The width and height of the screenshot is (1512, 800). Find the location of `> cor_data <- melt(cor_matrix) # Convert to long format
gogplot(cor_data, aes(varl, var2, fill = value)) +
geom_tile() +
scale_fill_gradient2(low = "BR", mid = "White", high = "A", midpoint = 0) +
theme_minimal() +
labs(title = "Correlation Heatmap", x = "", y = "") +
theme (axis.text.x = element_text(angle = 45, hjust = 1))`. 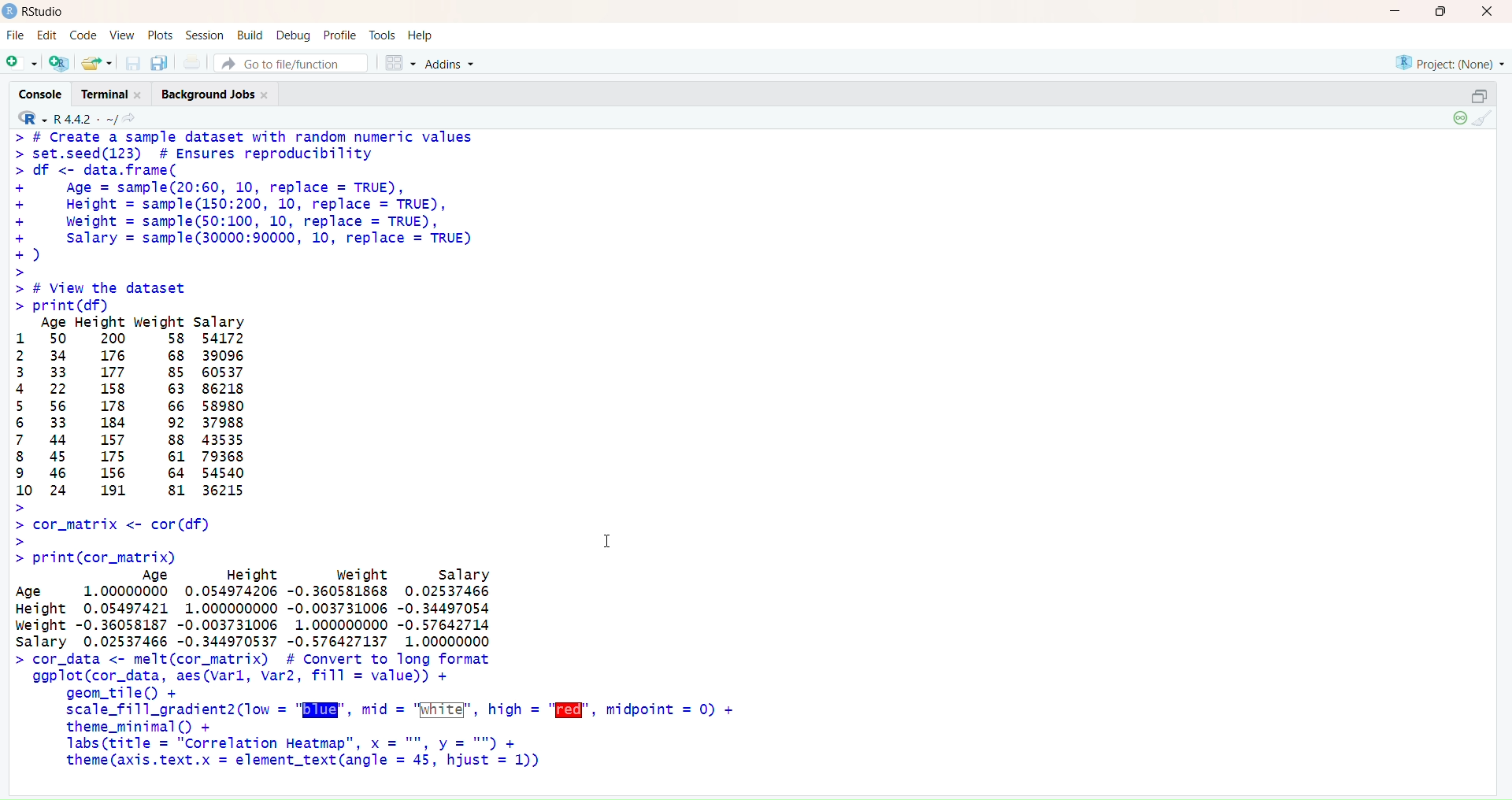

> cor_data <- melt(cor_matrix) # Convert to long format
gogplot(cor_data, aes(varl, var2, fill = value)) +
geom_tile() +
scale_fill_gradient2(low = "BR", mid = "White", high = "A", midpoint = 0) +
theme_minimal() +
labs(title = "Correlation Heatmap", x = "", y = "") +
theme (axis.text.x = element_text(angle = 45, hjust = 1)) is located at coordinates (380, 717).